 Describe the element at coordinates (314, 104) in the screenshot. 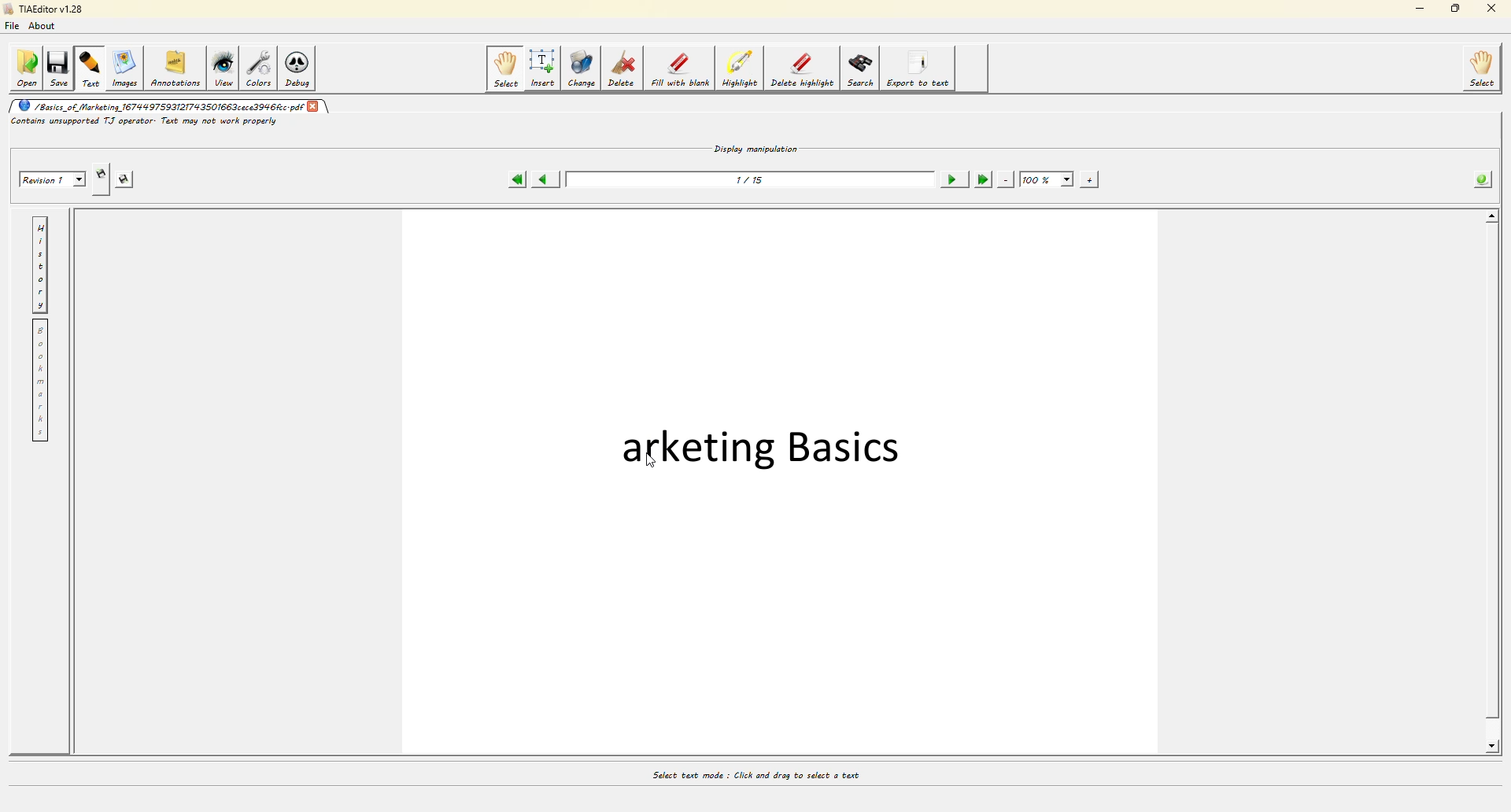

I see `close` at that location.